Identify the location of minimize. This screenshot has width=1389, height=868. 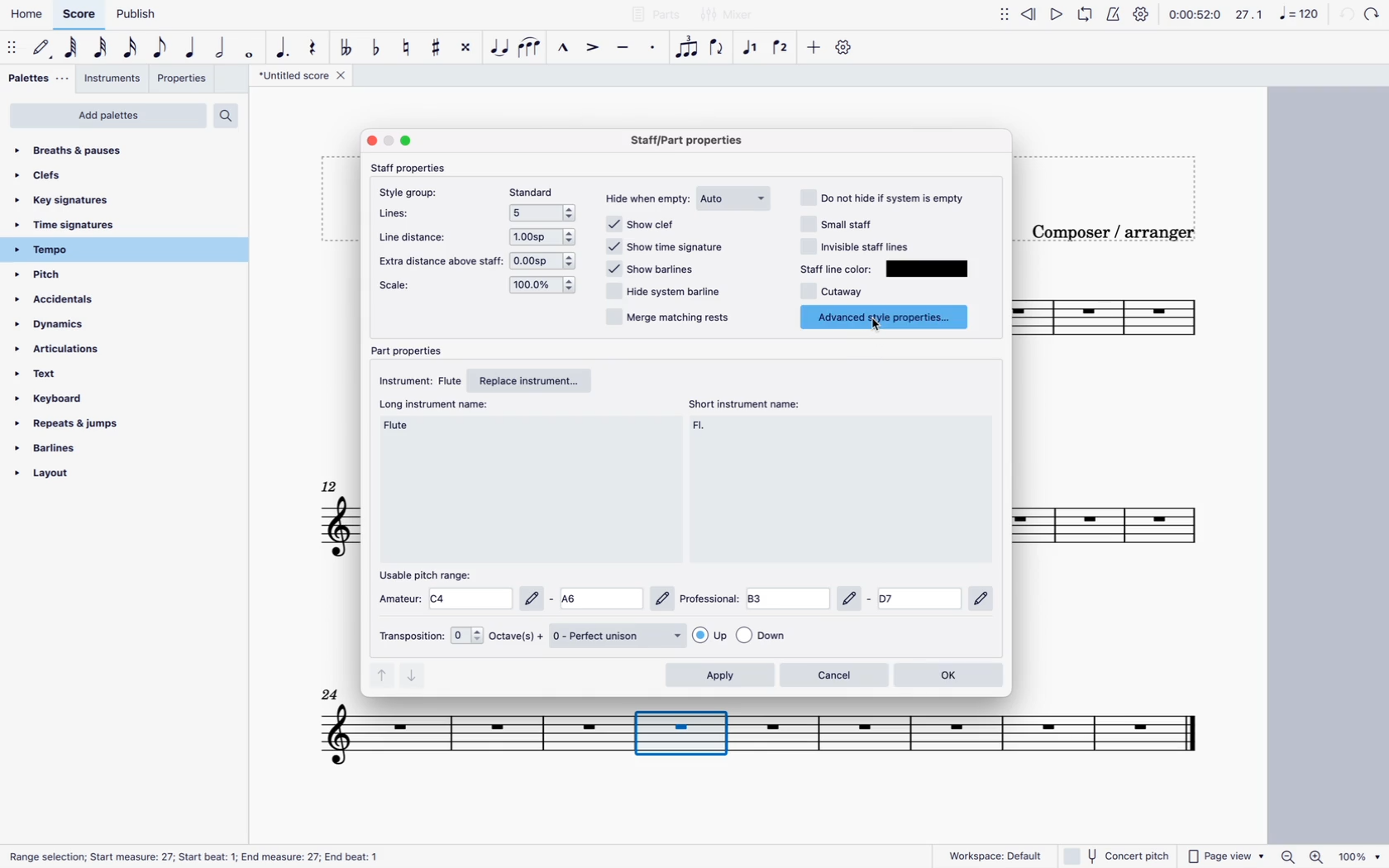
(389, 142).